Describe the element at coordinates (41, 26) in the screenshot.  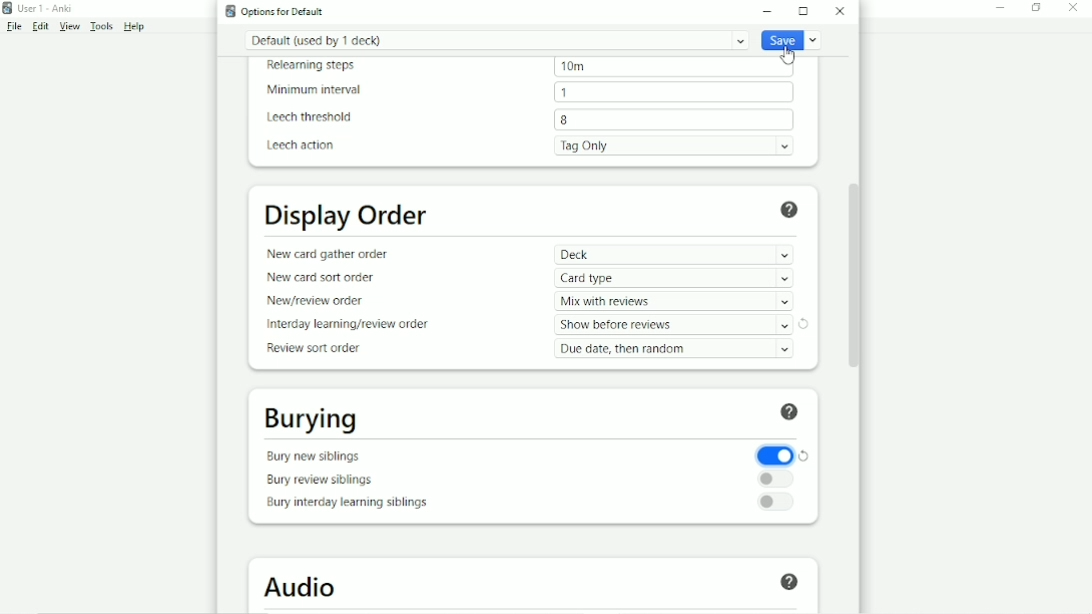
I see `Edit` at that location.